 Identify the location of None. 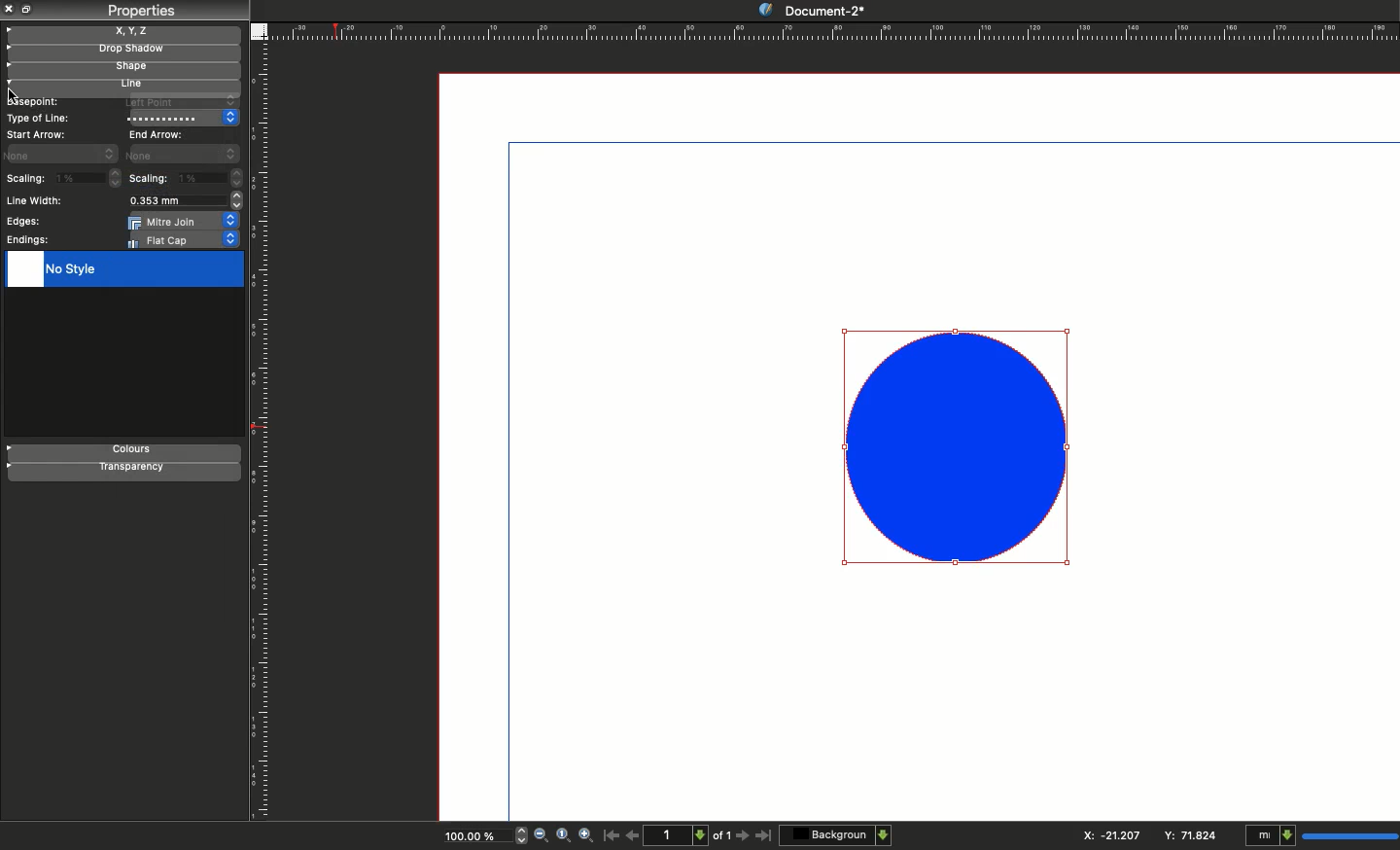
(62, 153).